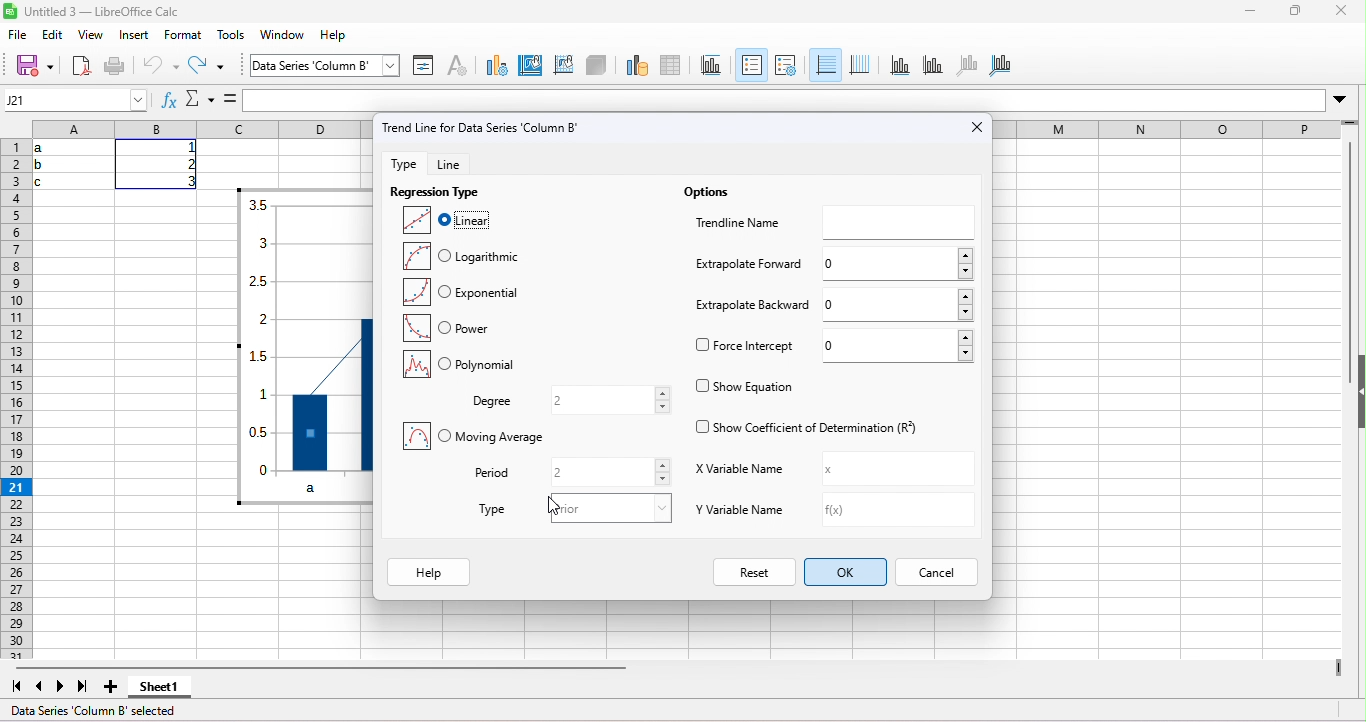 This screenshot has width=1366, height=722. What do you see at coordinates (456, 366) in the screenshot?
I see `polynomial` at bounding box center [456, 366].